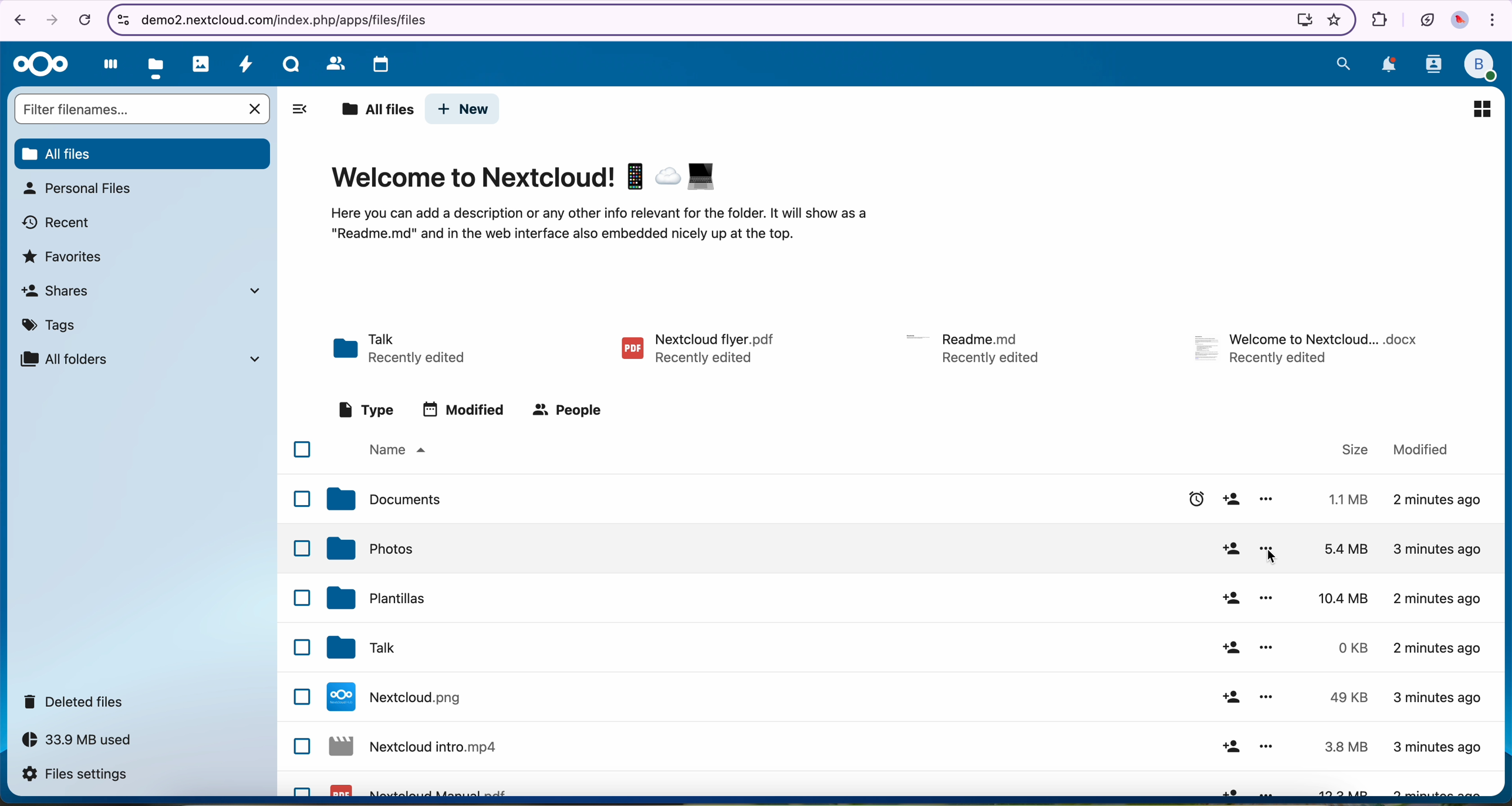  Describe the element at coordinates (158, 62) in the screenshot. I see `click on files` at that location.